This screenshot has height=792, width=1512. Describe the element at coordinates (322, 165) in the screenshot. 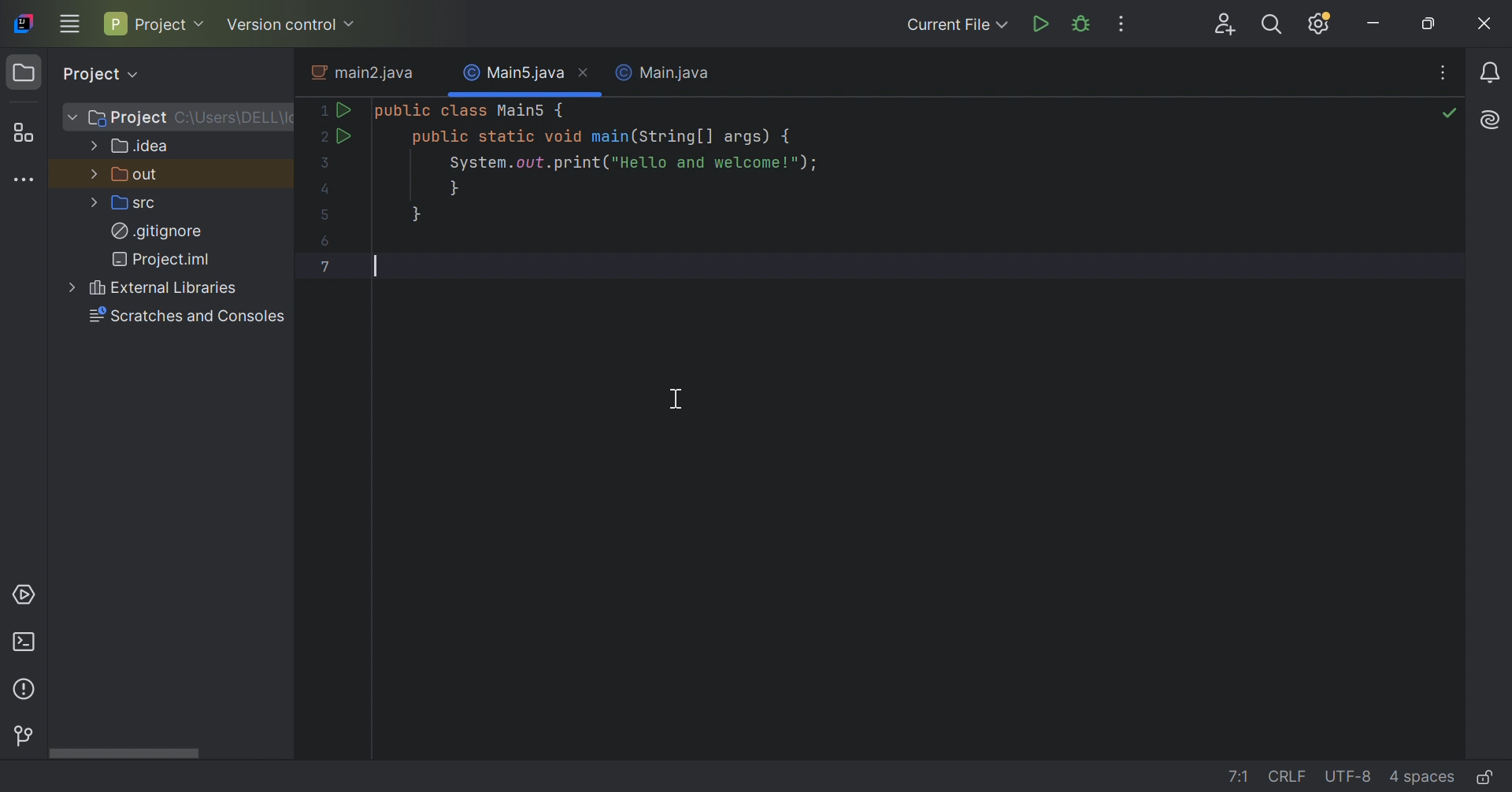

I see `` at that location.